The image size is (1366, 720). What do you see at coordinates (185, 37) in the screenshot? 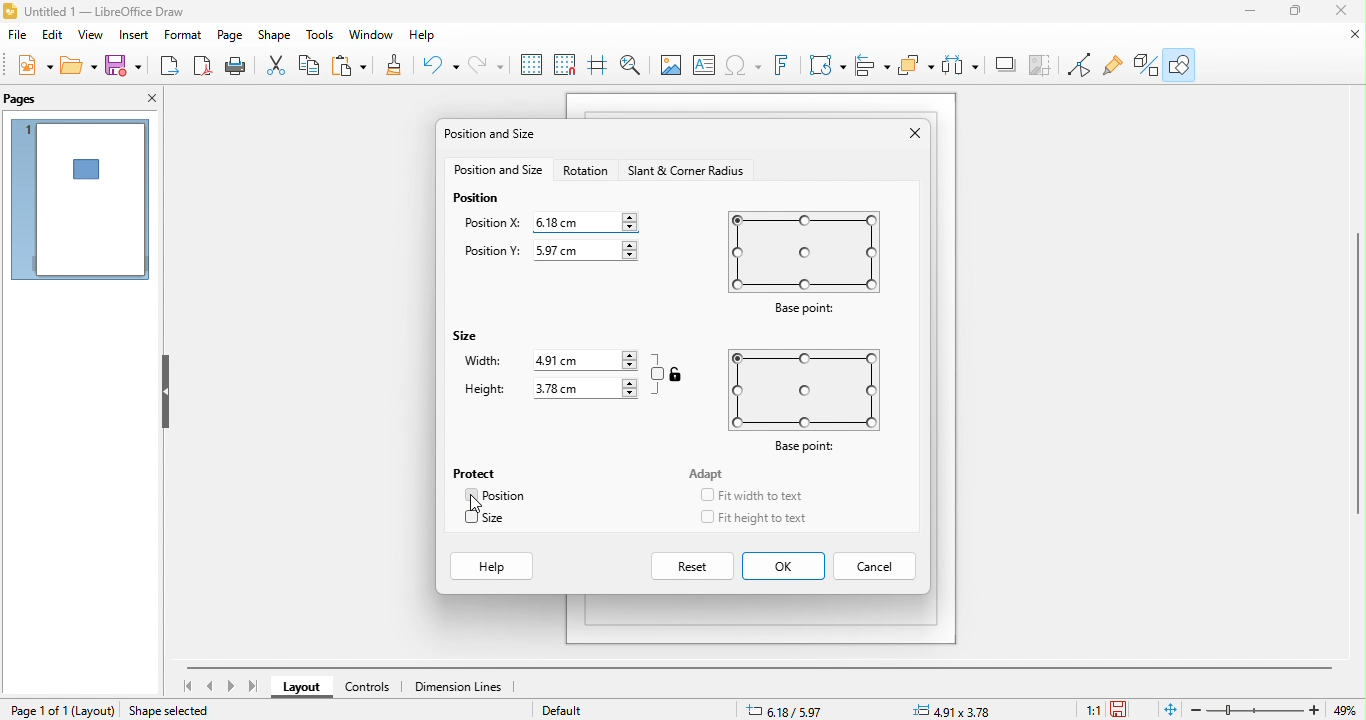
I see `format` at bounding box center [185, 37].